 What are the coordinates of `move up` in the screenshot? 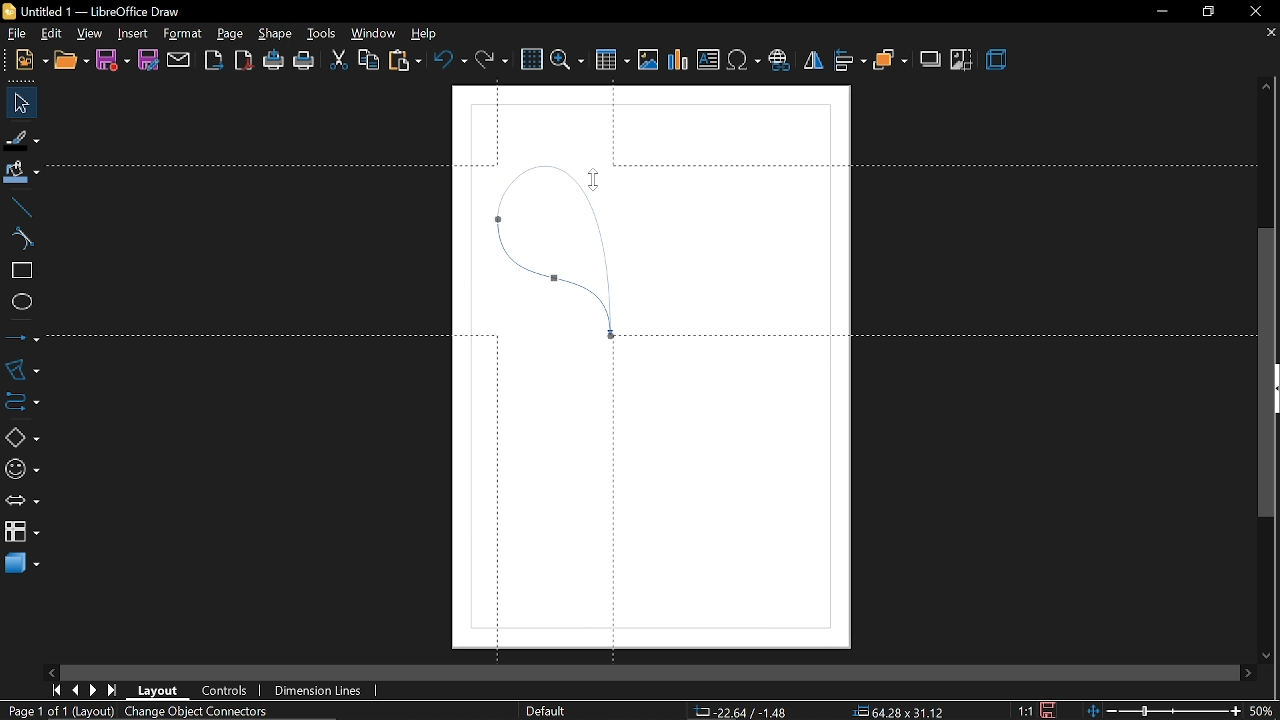 It's located at (1267, 88).